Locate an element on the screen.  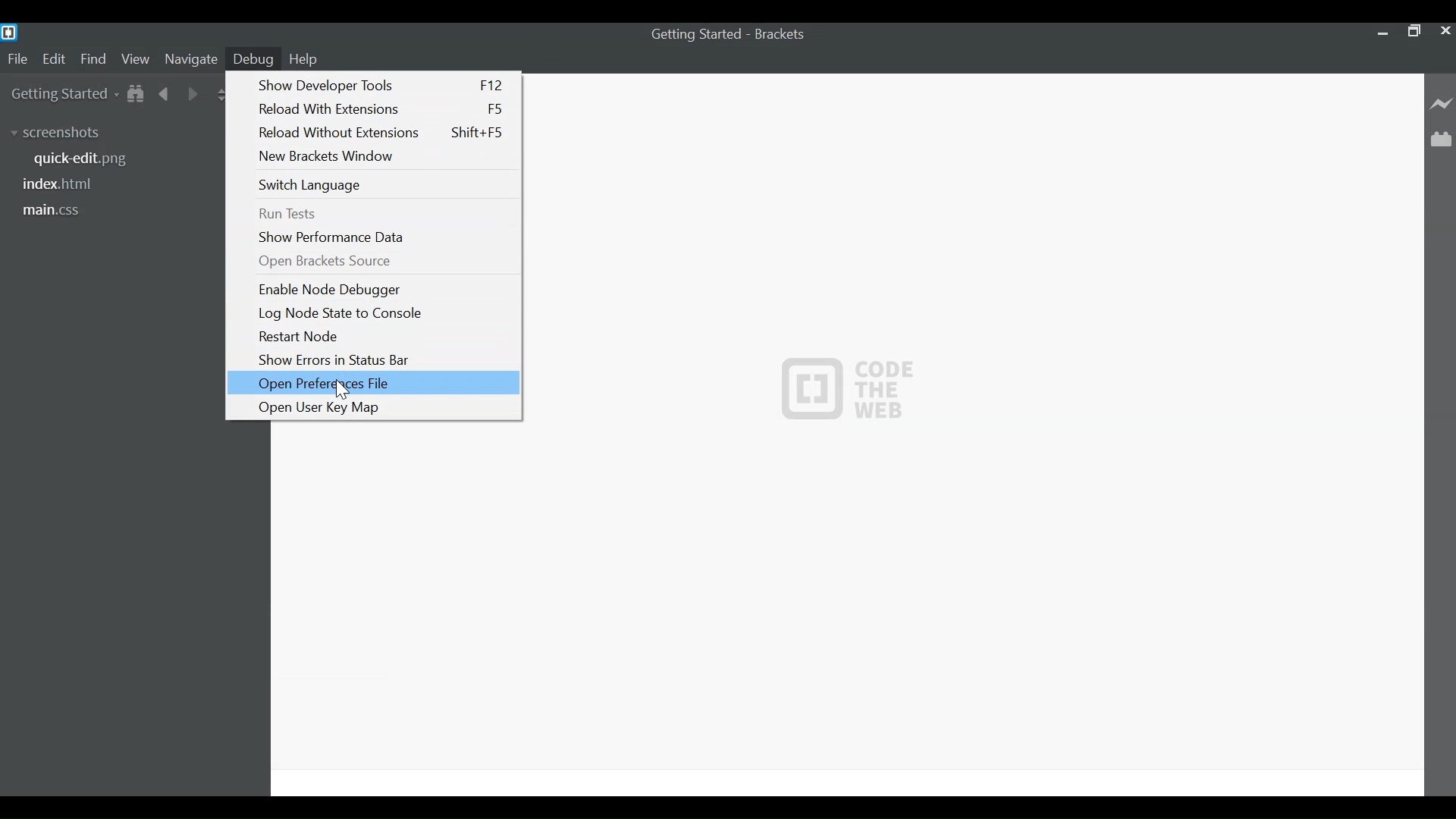
Edit is located at coordinates (56, 59).